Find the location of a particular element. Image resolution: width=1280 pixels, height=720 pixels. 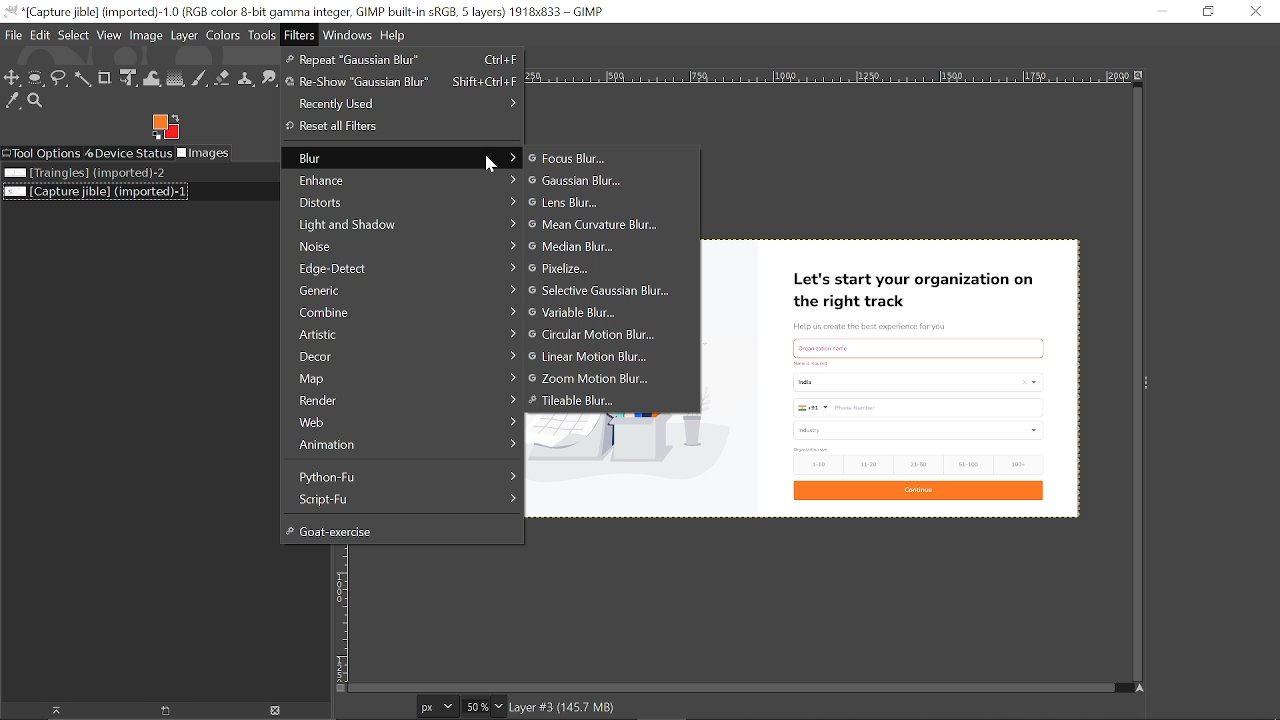

Delet image is located at coordinates (281, 710).